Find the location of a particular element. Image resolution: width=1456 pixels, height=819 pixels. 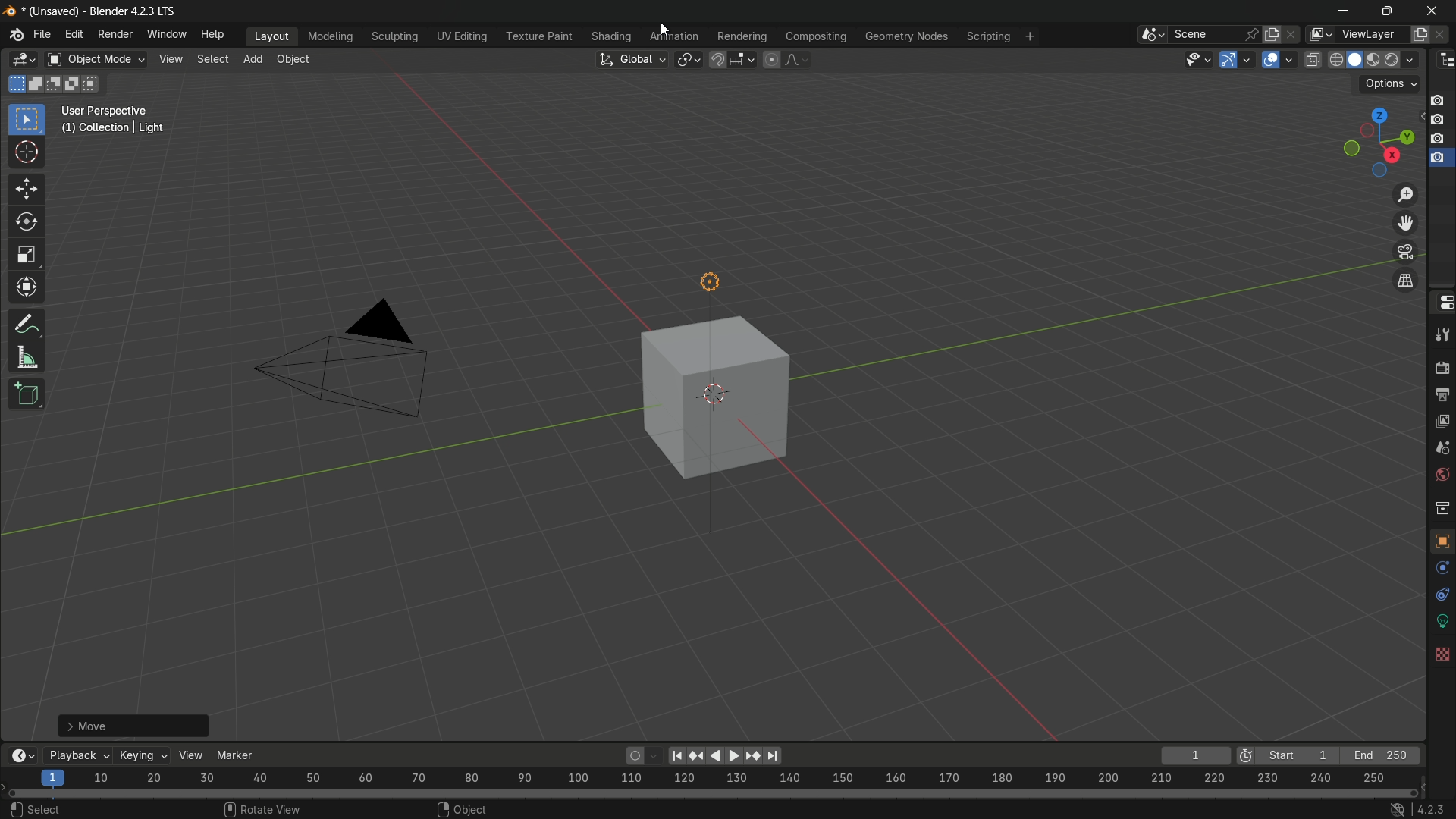

editor type is located at coordinates (1442, 61).